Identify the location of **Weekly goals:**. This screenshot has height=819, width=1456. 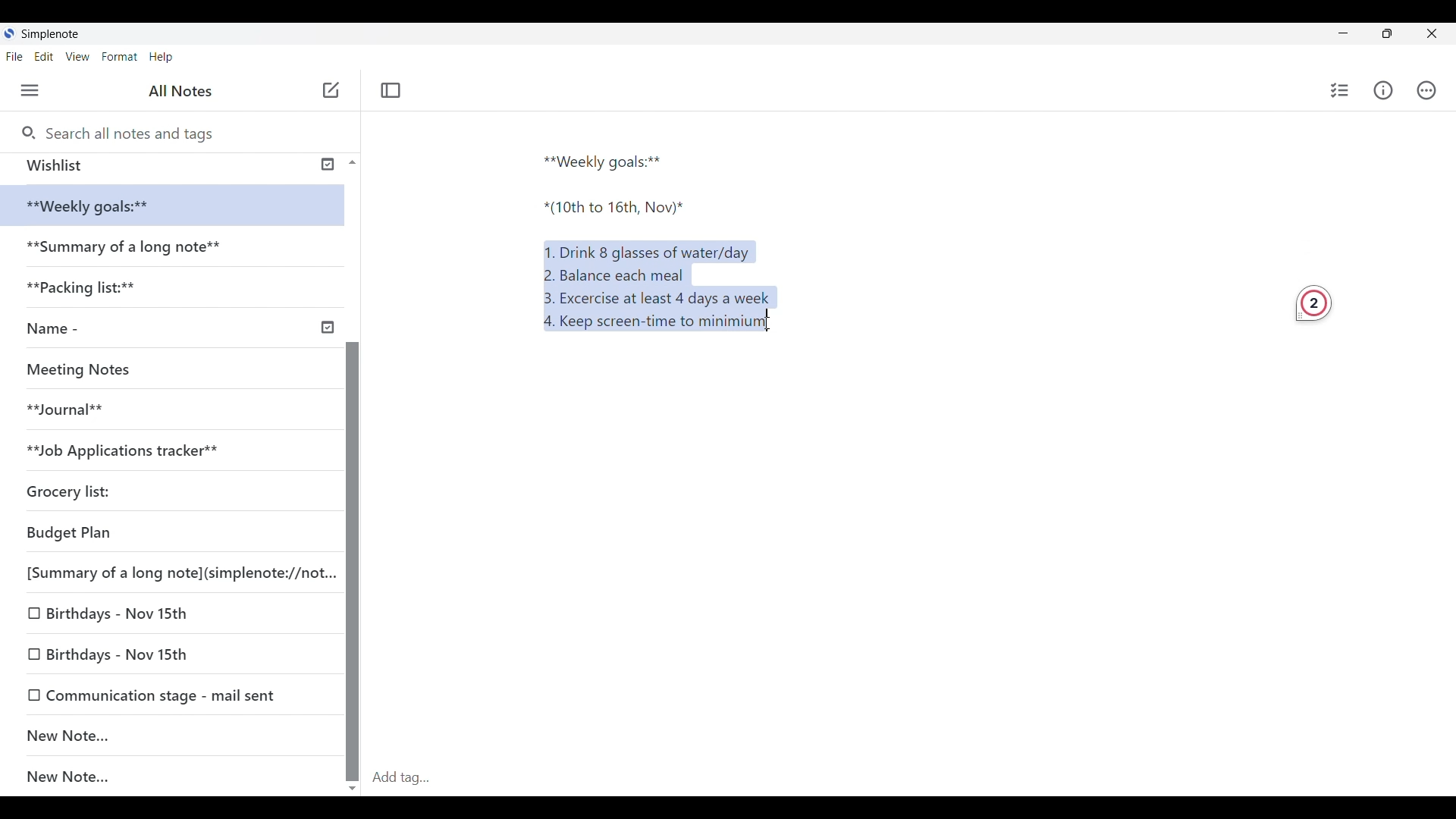
(99, 206).